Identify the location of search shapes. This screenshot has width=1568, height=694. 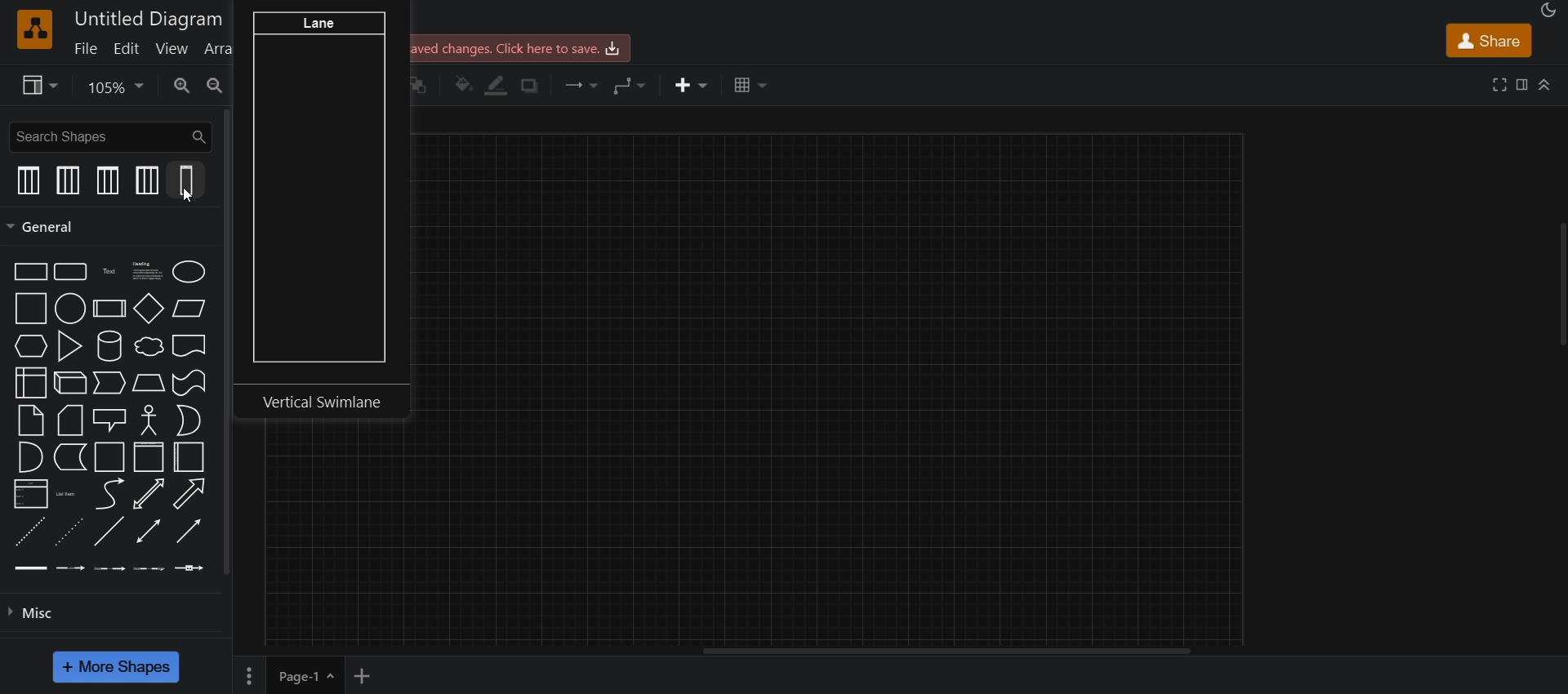
(109, 136).